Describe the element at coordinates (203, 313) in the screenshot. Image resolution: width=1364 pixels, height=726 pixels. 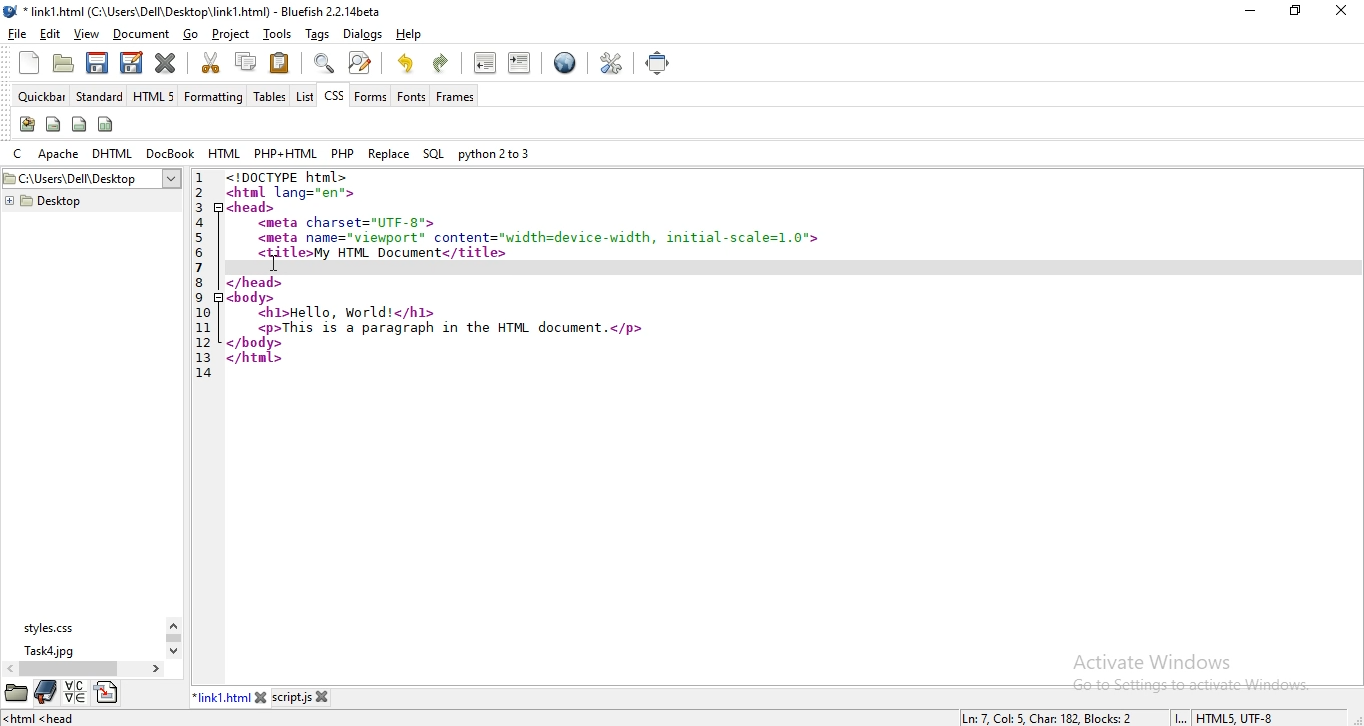
I see `10` at that location.